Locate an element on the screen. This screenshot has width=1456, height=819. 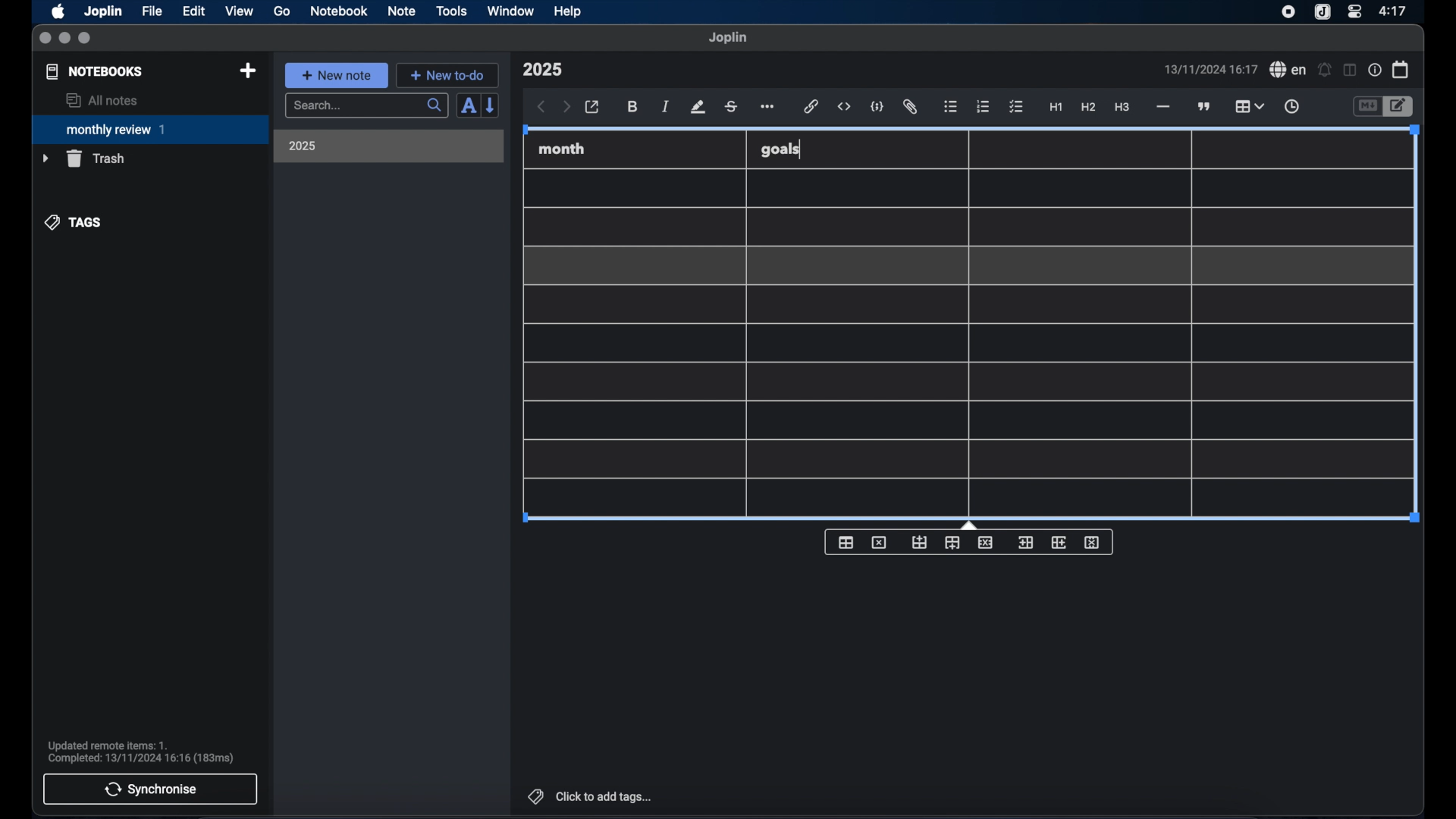
reverse sort order is located at coordinates (491, 105).